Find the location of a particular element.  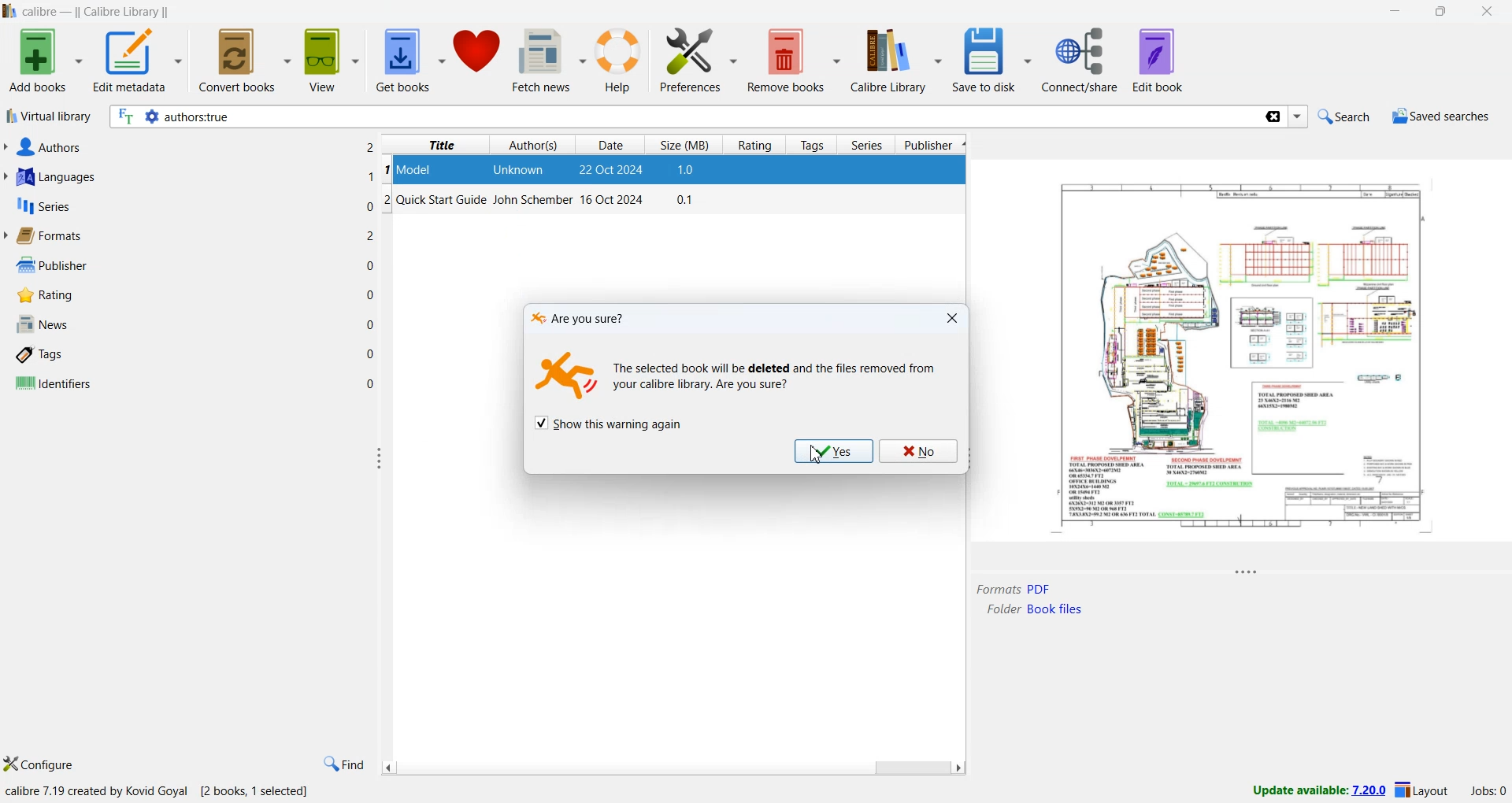

unknown is located at coordinates (521, 171).